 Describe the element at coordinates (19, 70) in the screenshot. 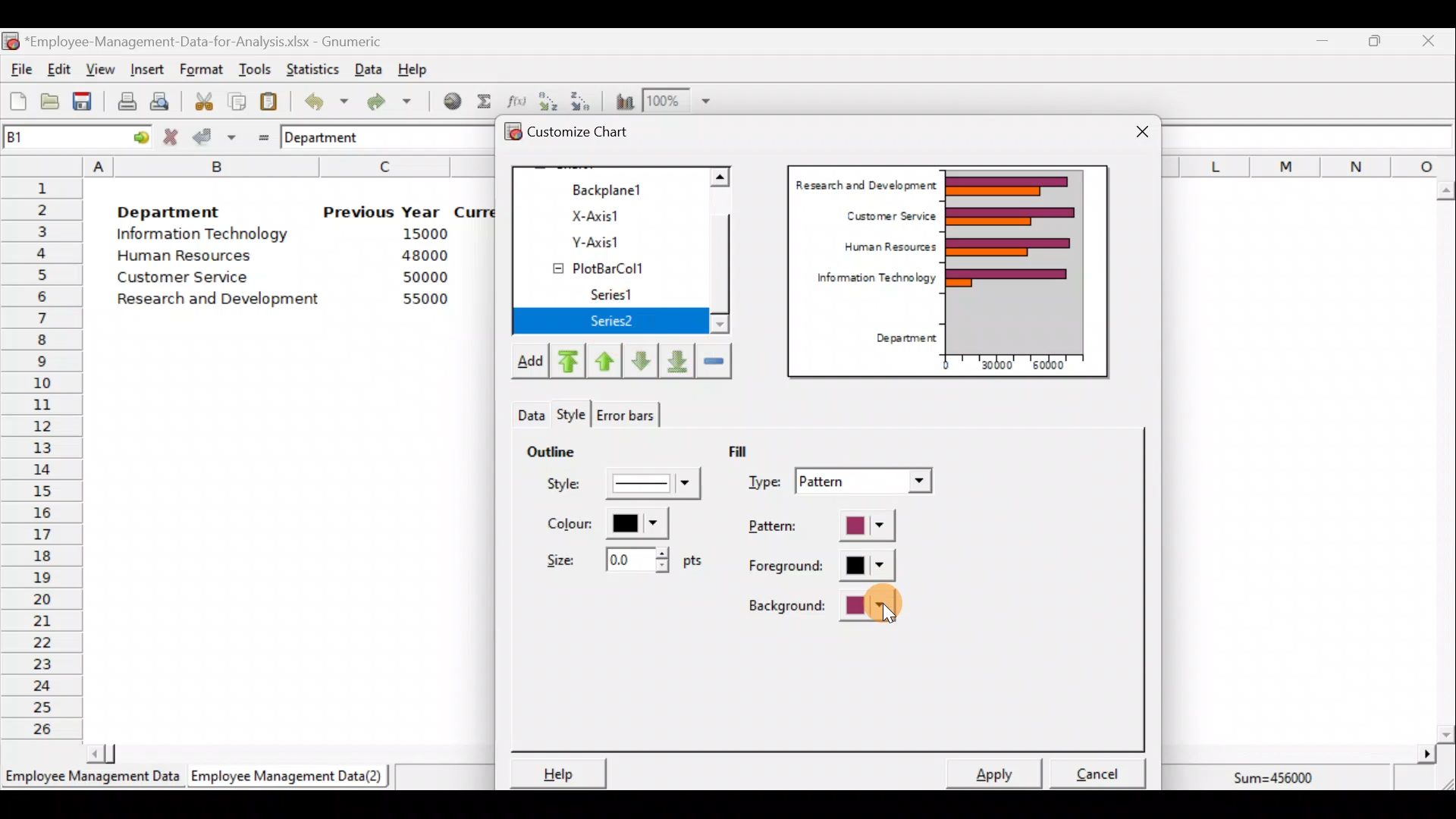

I see `File` at that location.